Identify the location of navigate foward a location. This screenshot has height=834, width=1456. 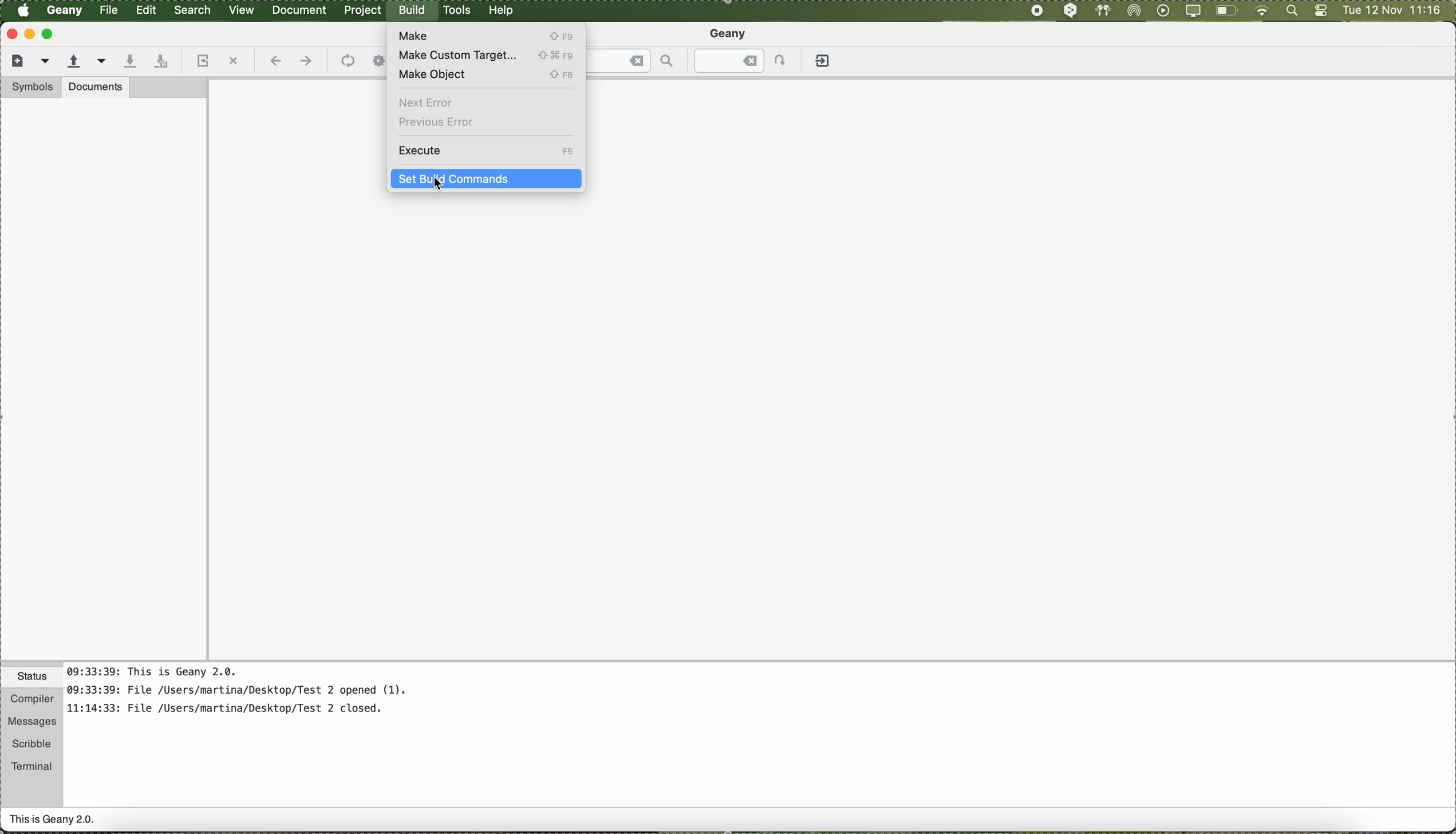
(305, 61).